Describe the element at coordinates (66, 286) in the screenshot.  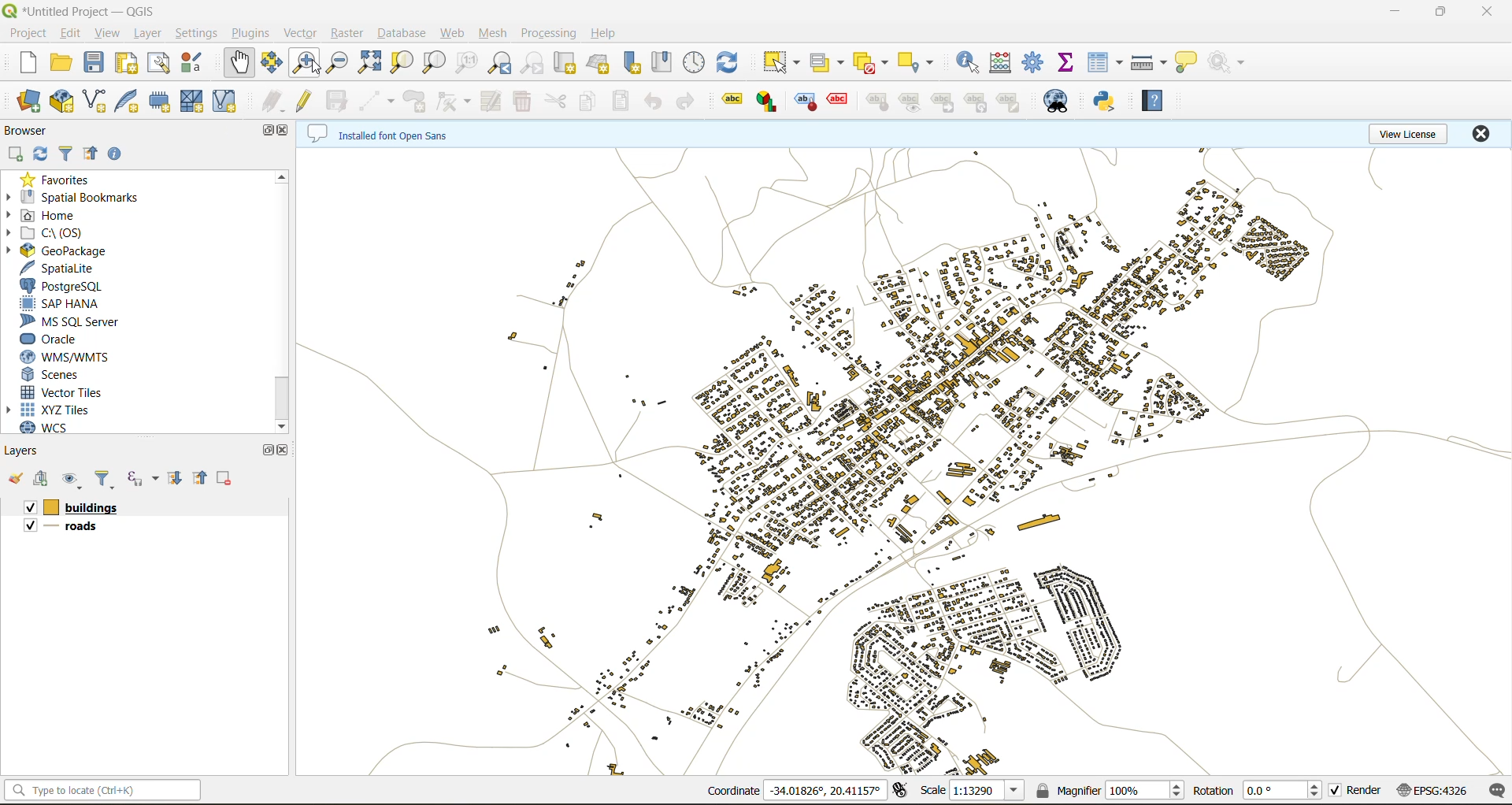
I see `postgresql` at that location.